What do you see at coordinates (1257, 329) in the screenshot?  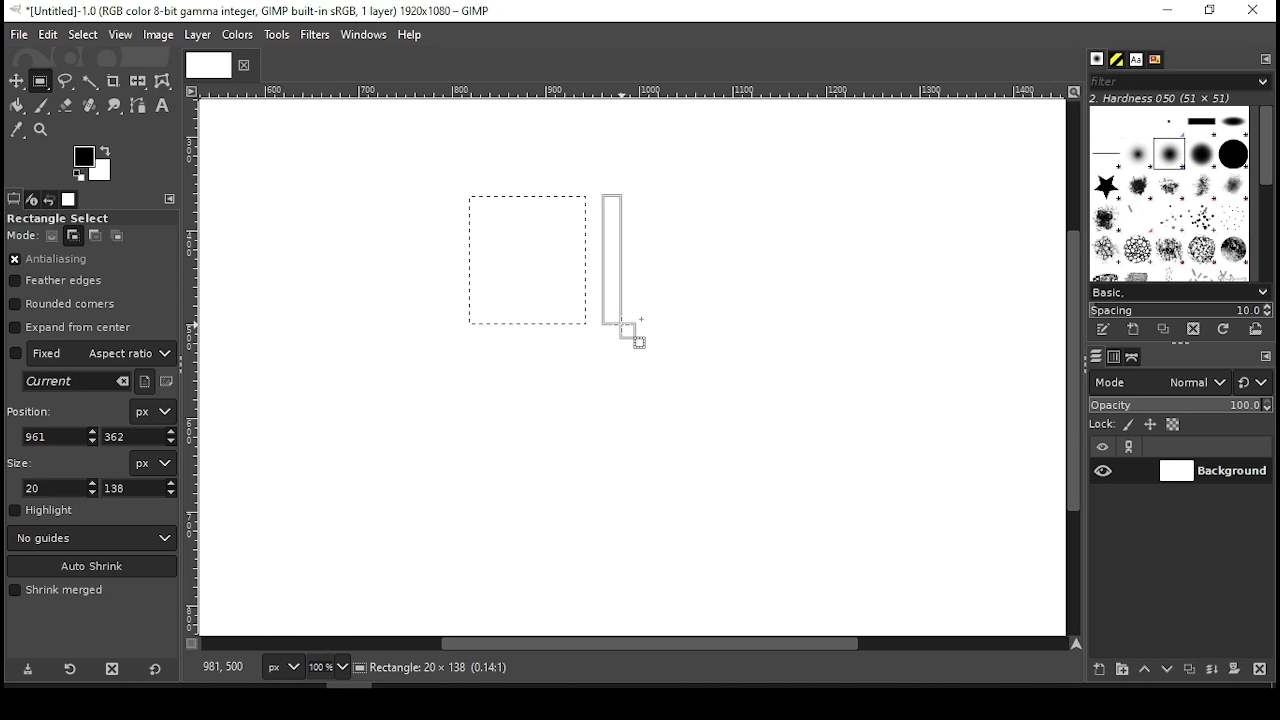 I see `open brush as image` at bounding box center [1257, 329].